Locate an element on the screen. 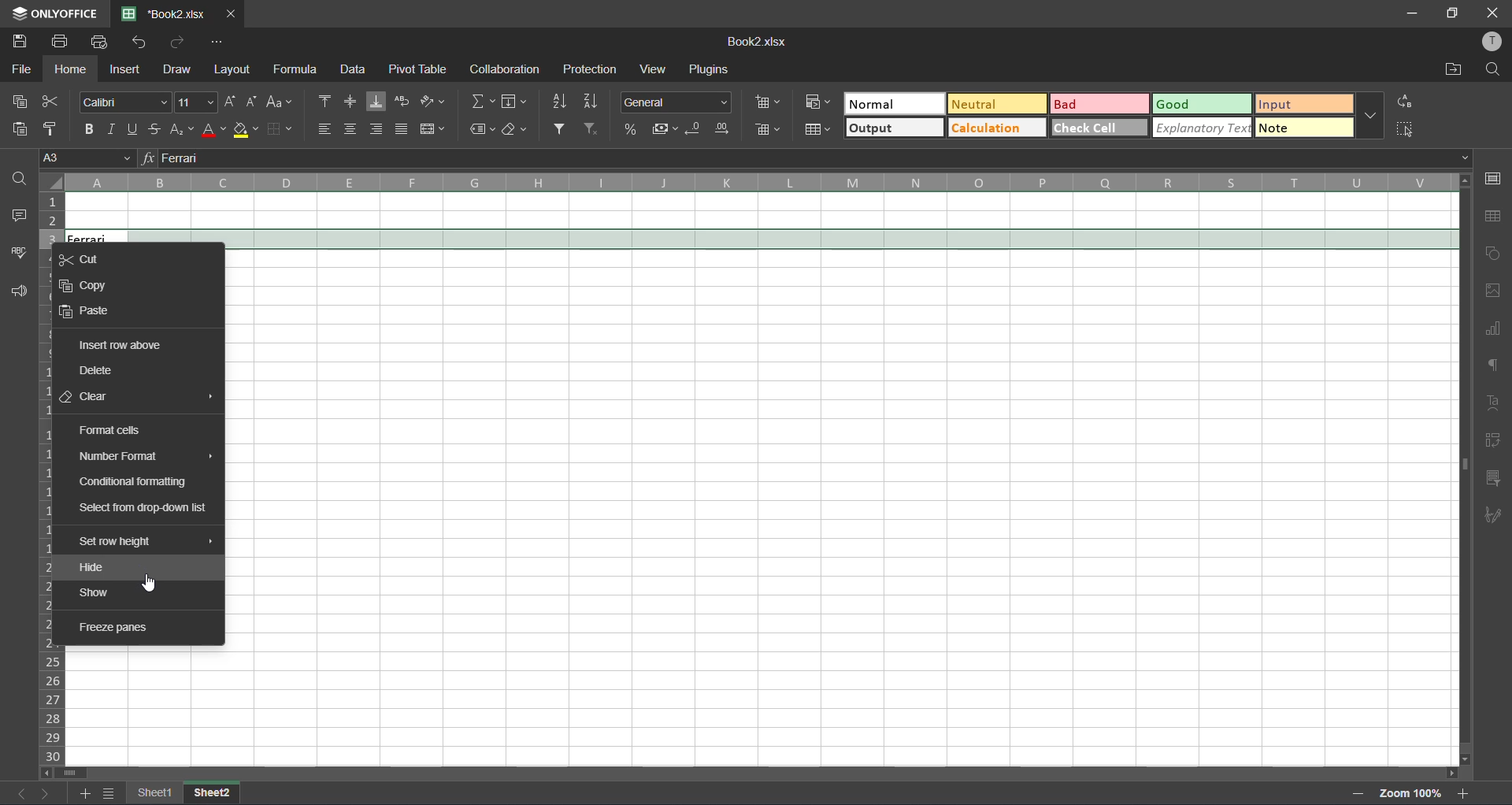 This screenshot has height=805, width=1512. minimize is located at coordinates (1414, 14).